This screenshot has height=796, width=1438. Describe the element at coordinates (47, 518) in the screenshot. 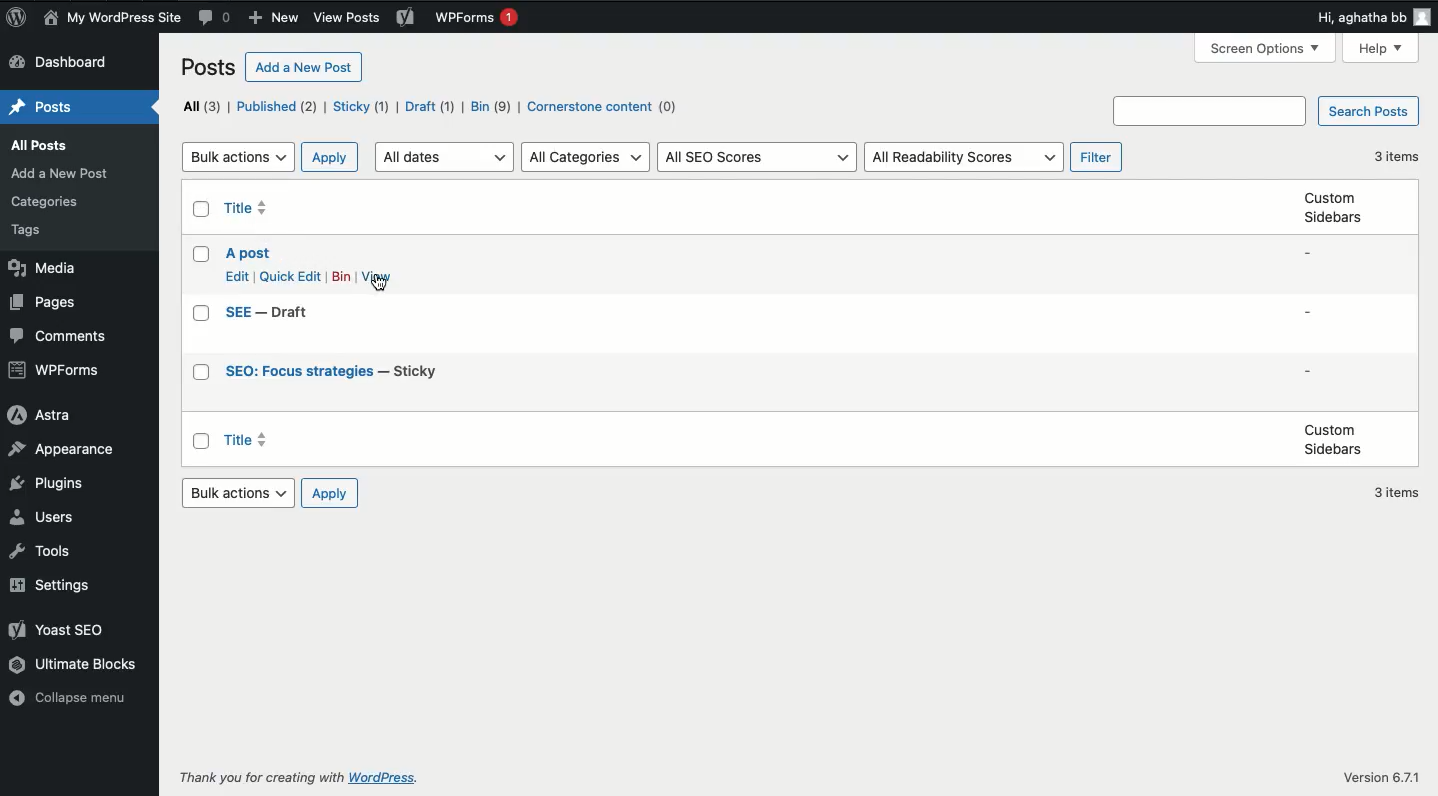

I see `Users` at that location.